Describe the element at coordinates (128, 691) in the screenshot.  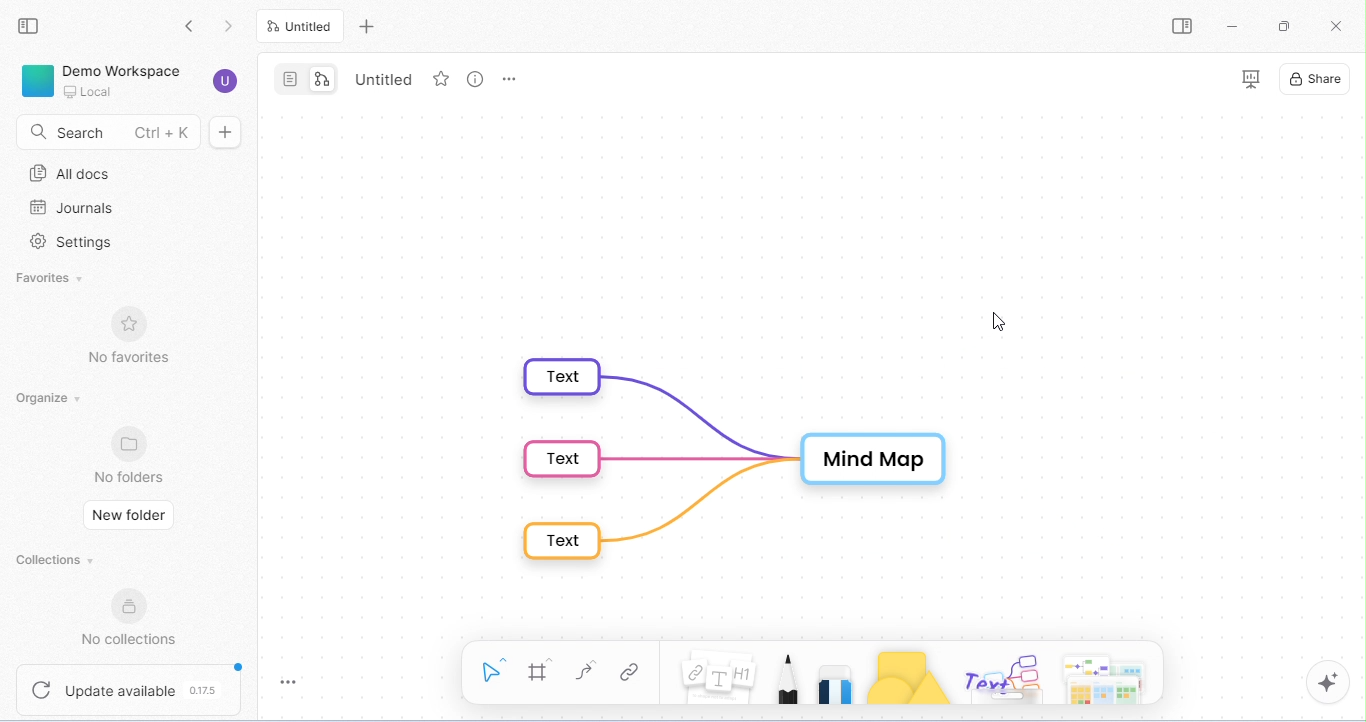
I see `update available` at that location.